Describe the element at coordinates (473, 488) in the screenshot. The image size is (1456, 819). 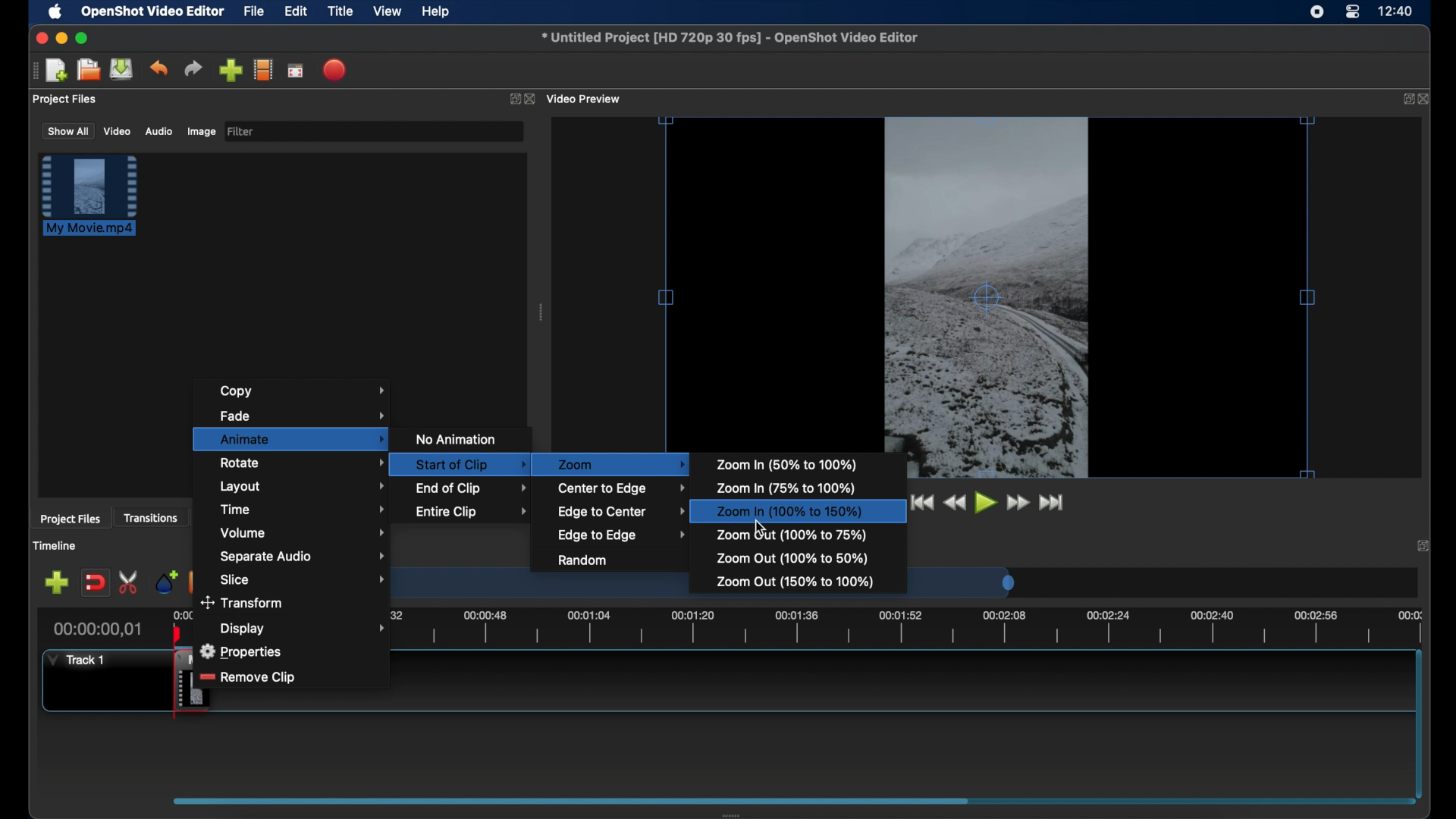
I see `end of clip menu` at that location.